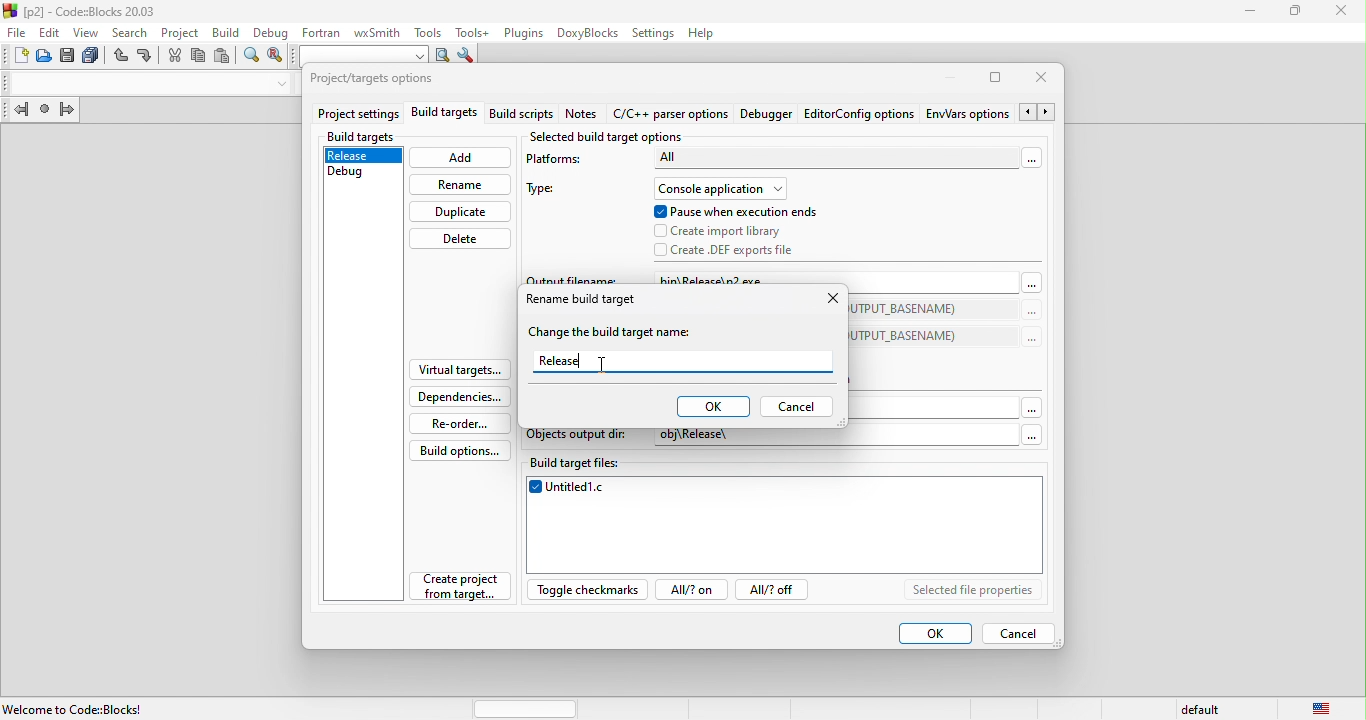 Image resolution: width=1366 pixels, height=720 pixels. Describe the element at coordinates (223, 31) in the screenshot. I see `build` at that location.